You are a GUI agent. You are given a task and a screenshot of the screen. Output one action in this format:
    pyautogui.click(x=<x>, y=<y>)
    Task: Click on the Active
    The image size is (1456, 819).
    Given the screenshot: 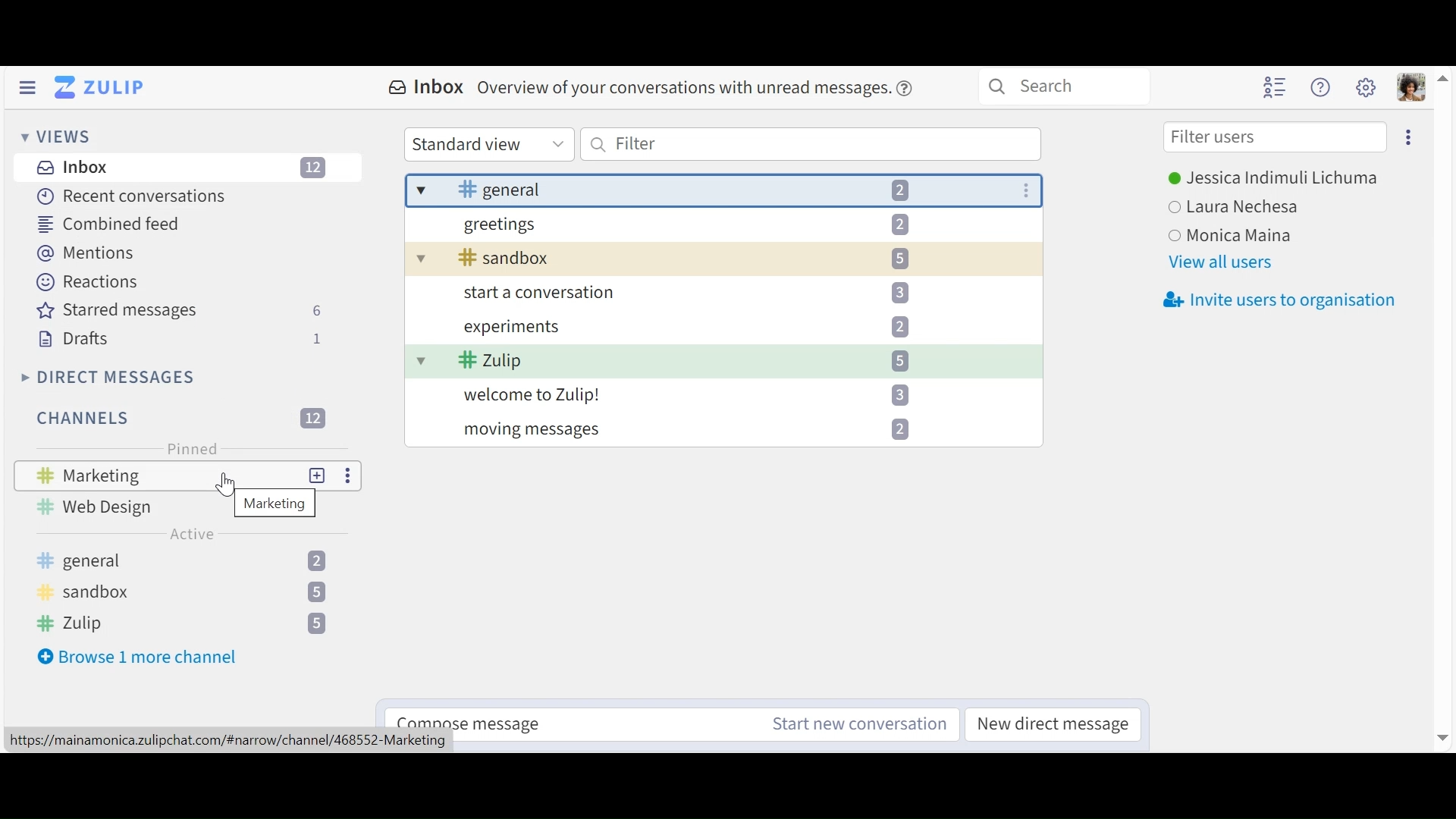 What is the action you would take?
    pyautogui.click(x=193, y=534)
    